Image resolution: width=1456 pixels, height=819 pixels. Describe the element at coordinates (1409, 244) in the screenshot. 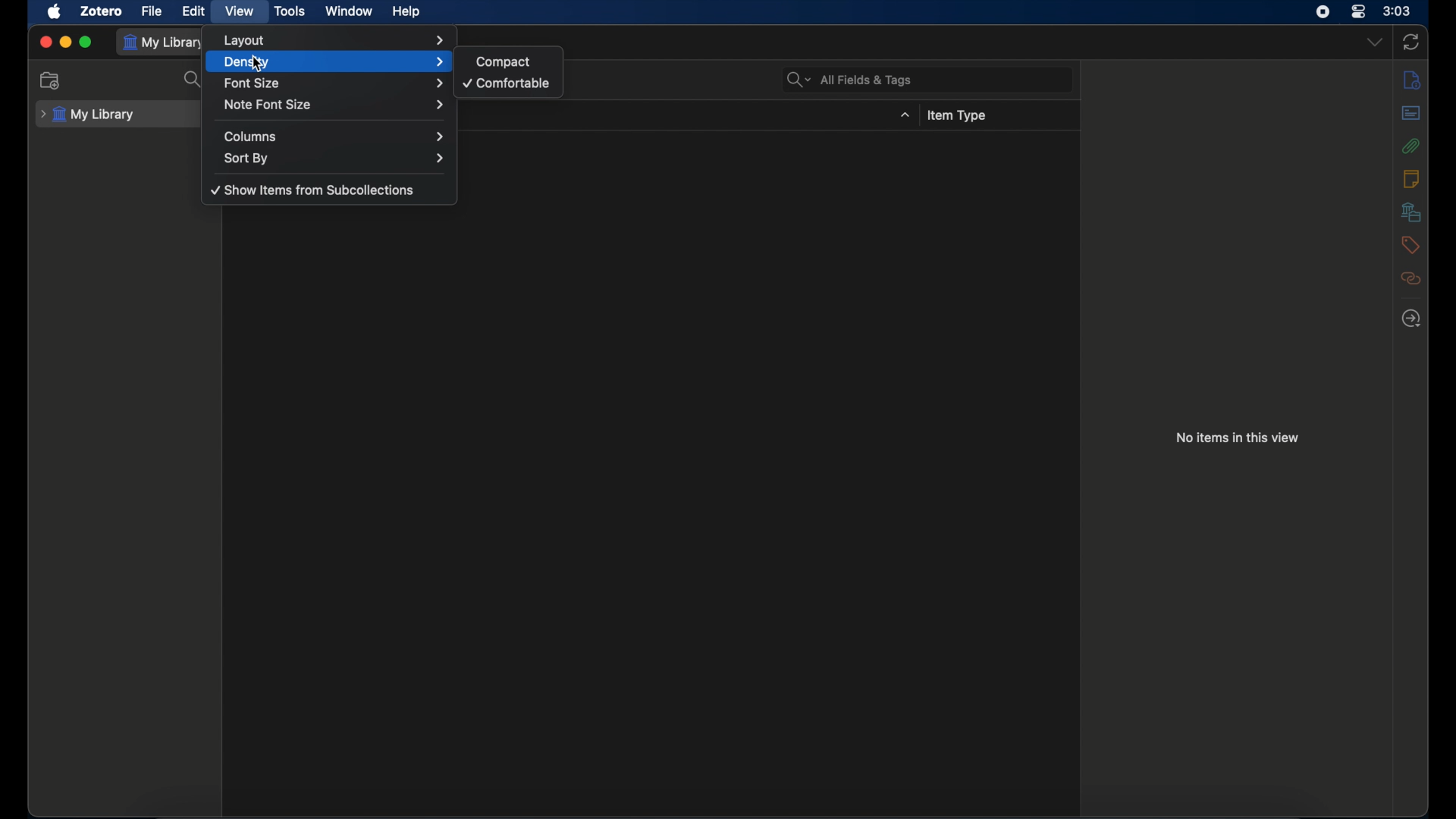

I see `tags` at that location.